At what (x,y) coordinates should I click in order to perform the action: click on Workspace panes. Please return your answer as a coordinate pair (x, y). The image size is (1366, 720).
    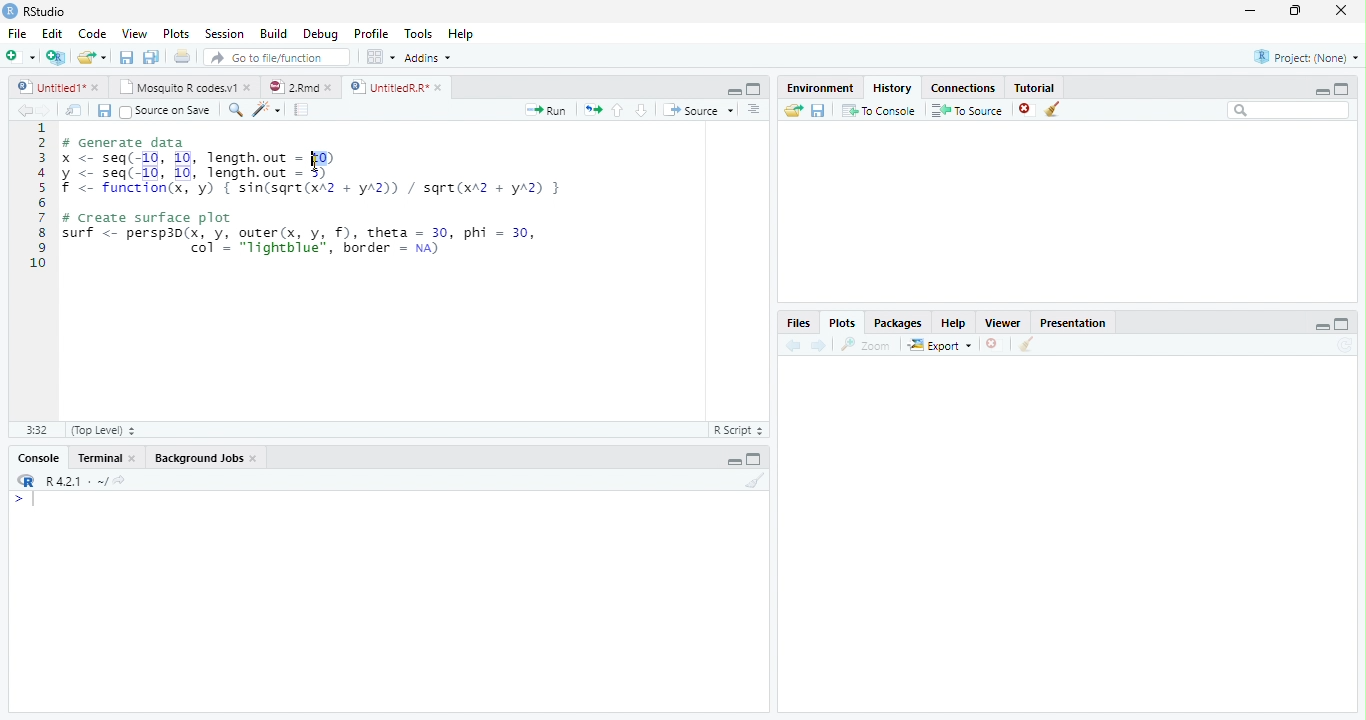
    Looking at the image, I should click on (379, 56).